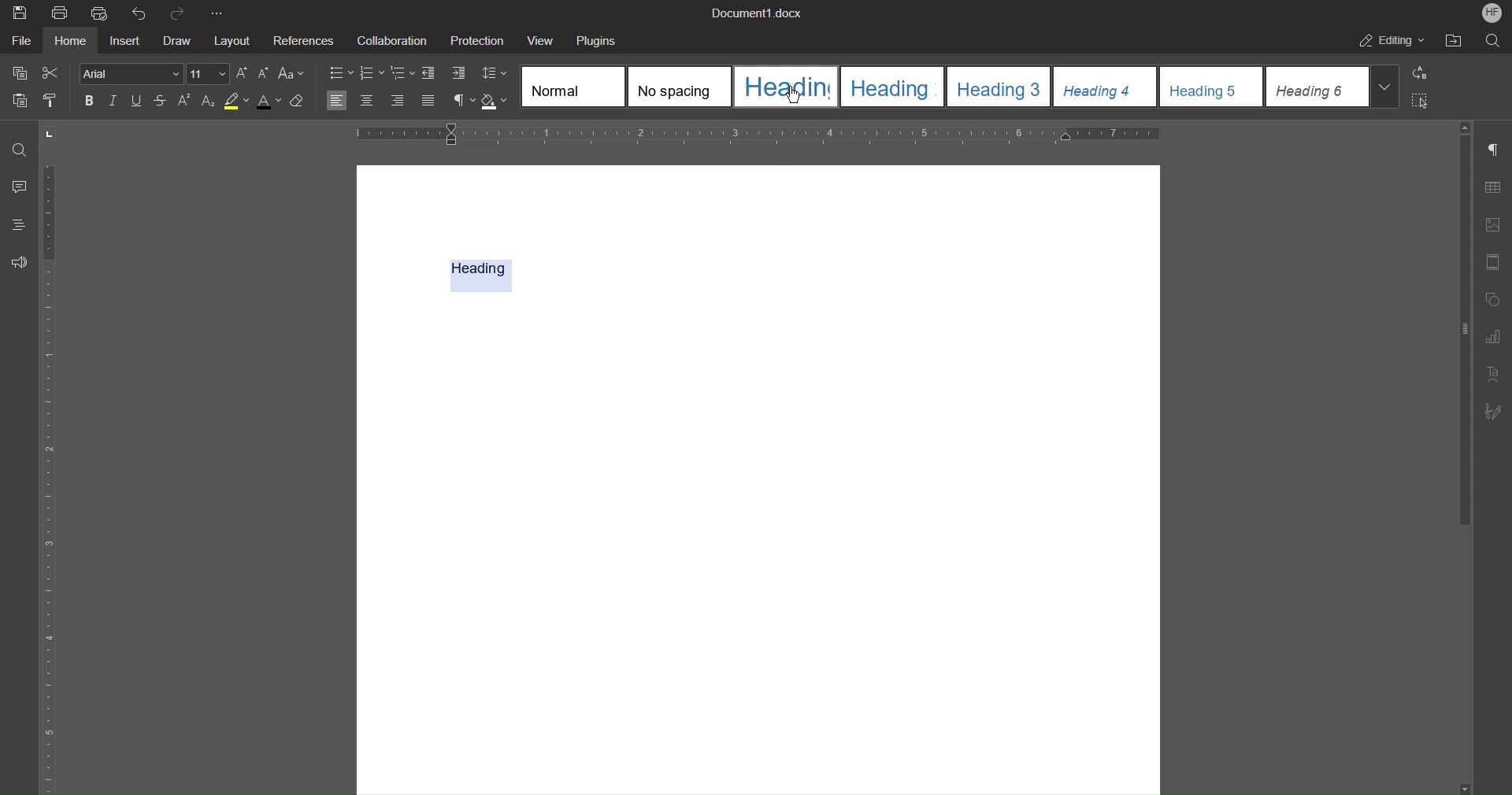 Image resolution: width=1512 pixels, height=795 pixels. What do you see at coordinates (1388, 40) in the screenshot?
I see `Editing` at bounding box center [1388, 40].